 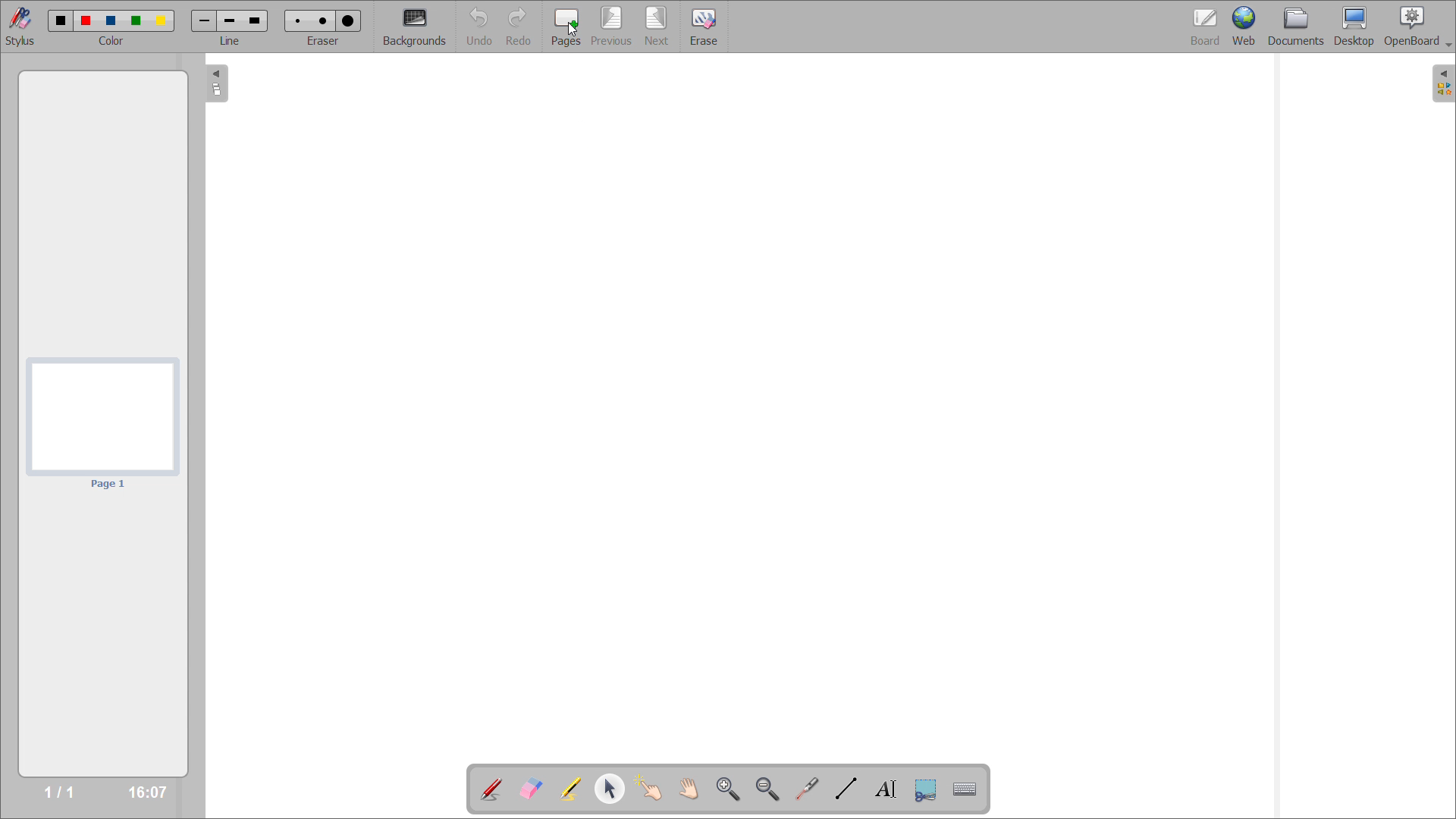 I want to click on next page, so click(x=658, y=26).